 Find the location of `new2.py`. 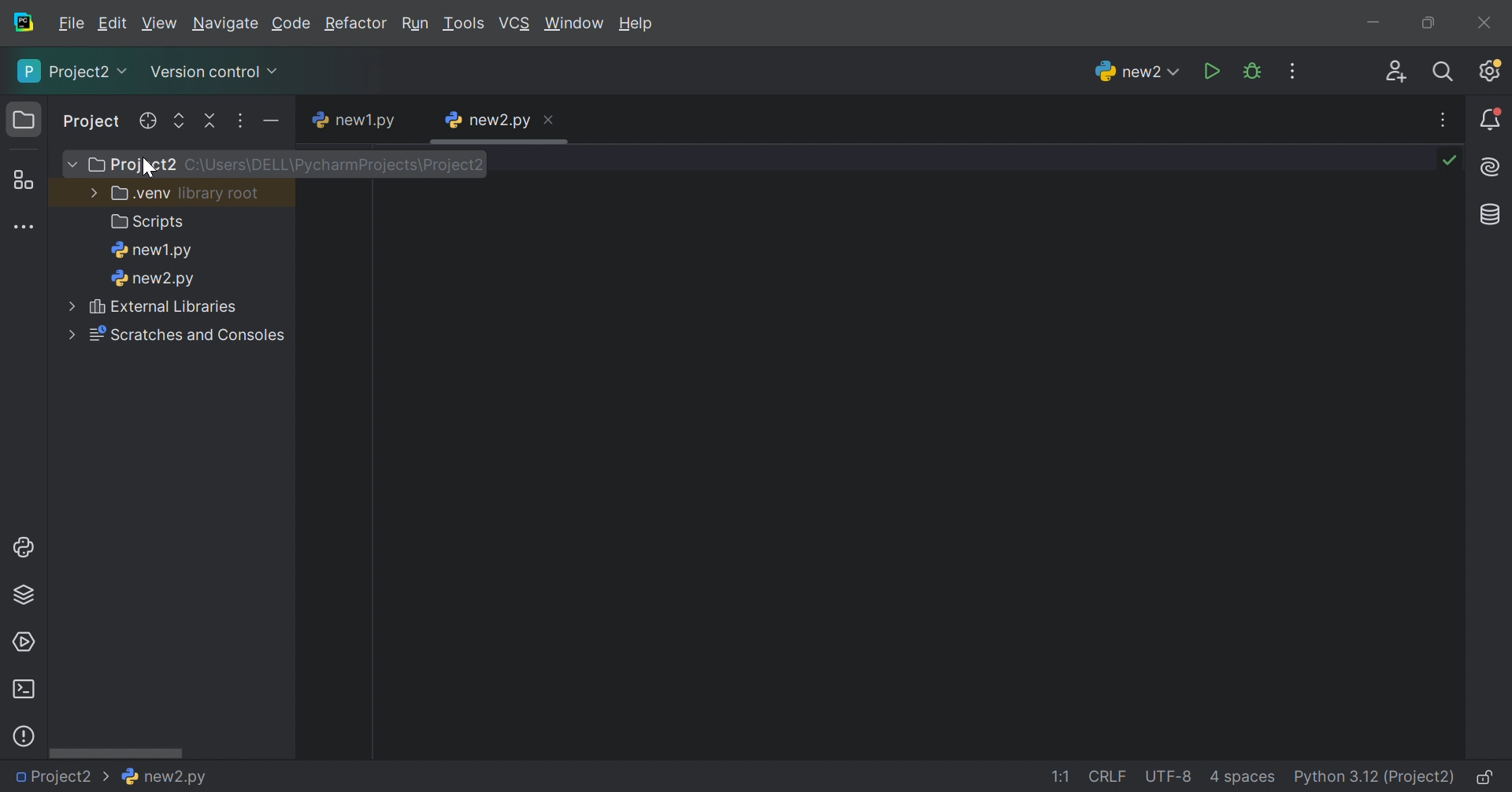

new2.py is located at coordinates (158, 279).